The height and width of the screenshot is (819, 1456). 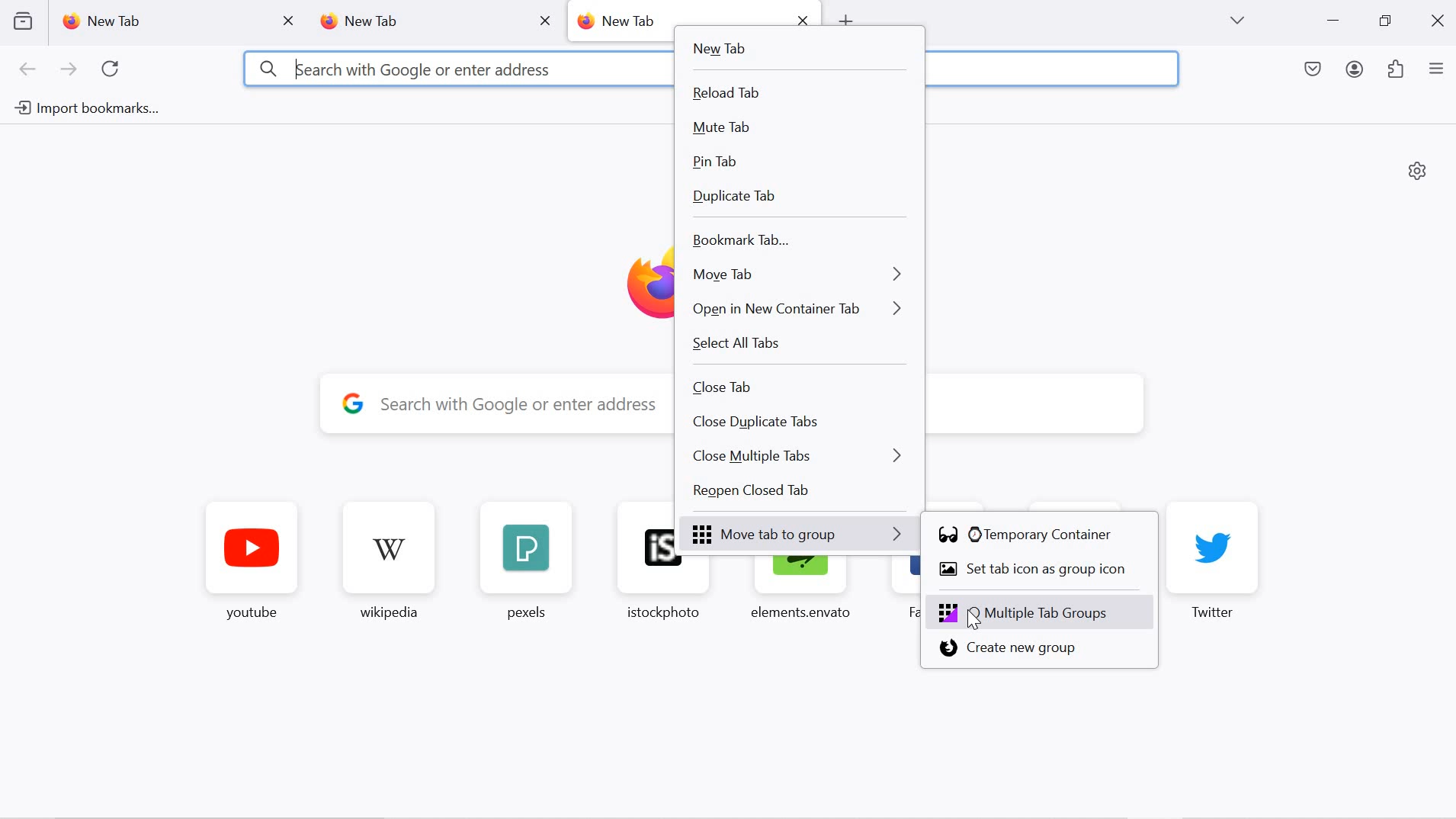 What do you see at coordinates (84, 109) in the screenshot?
I see `import bookmarks` at bounding box center [84, 109].